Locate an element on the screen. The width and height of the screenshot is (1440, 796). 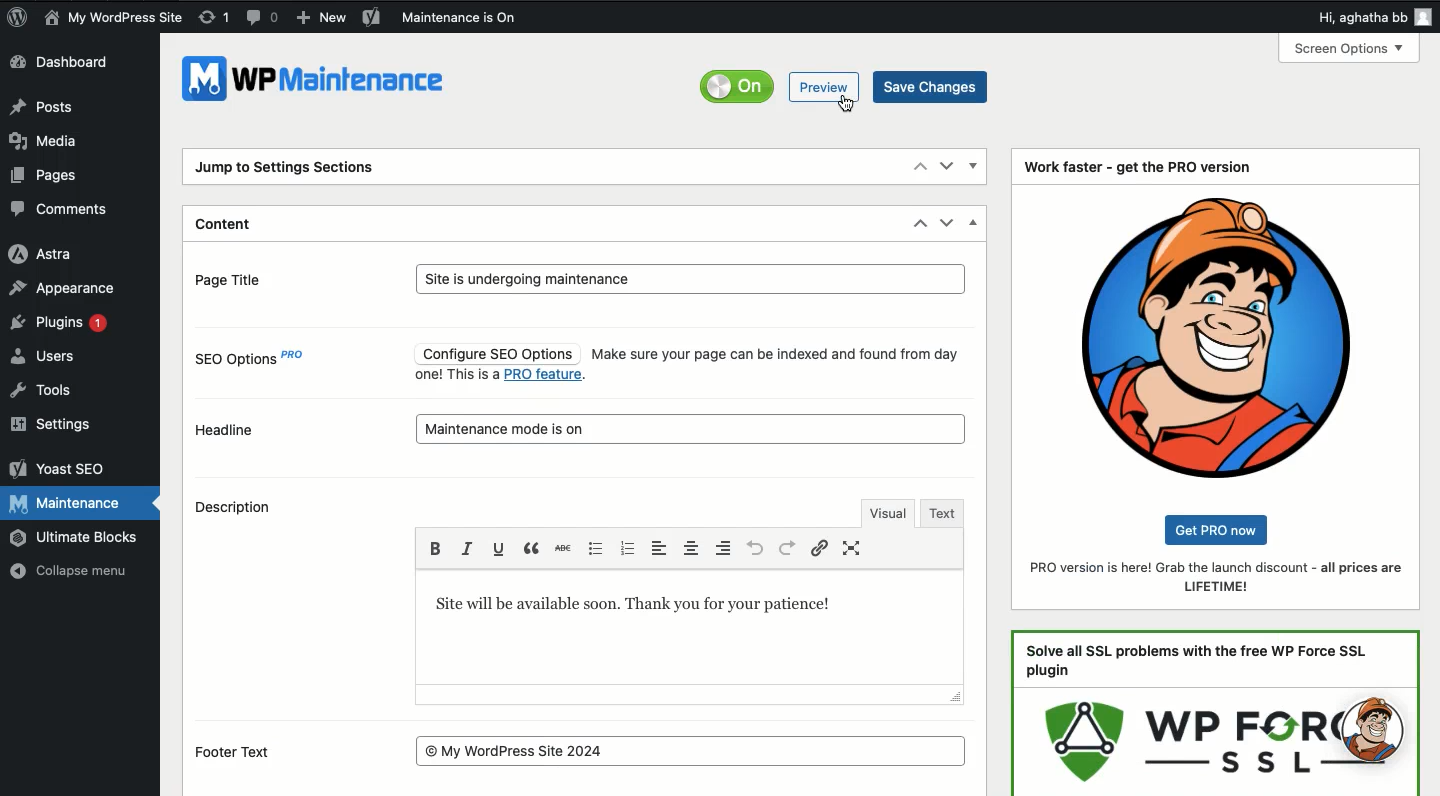
Logo is located at coordinates (1217, 336).